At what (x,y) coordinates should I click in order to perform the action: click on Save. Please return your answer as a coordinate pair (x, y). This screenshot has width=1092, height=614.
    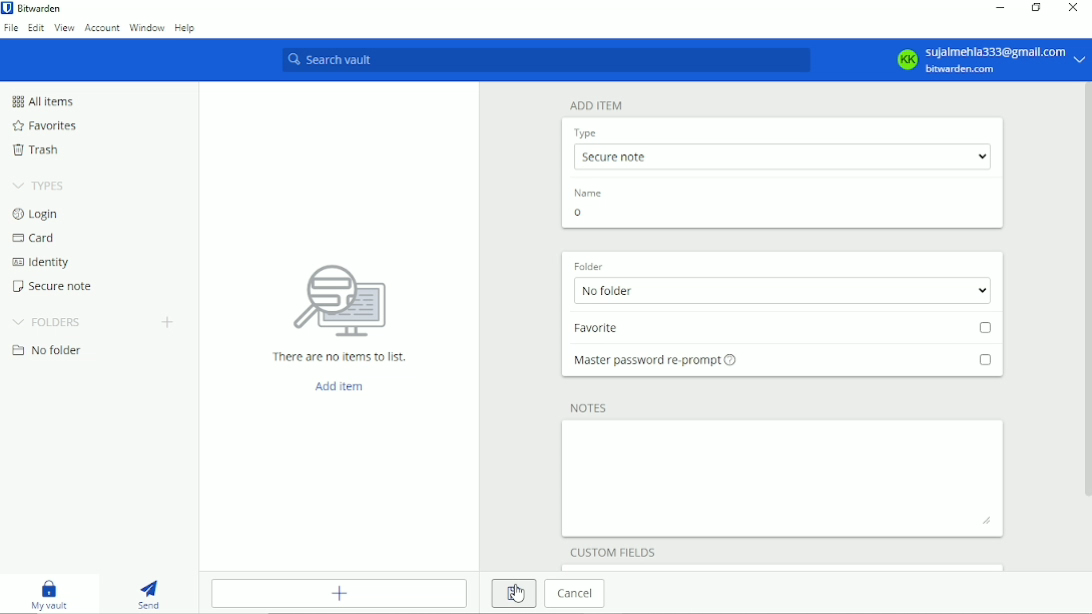
    Looking at the image, I should click on (513, 595).